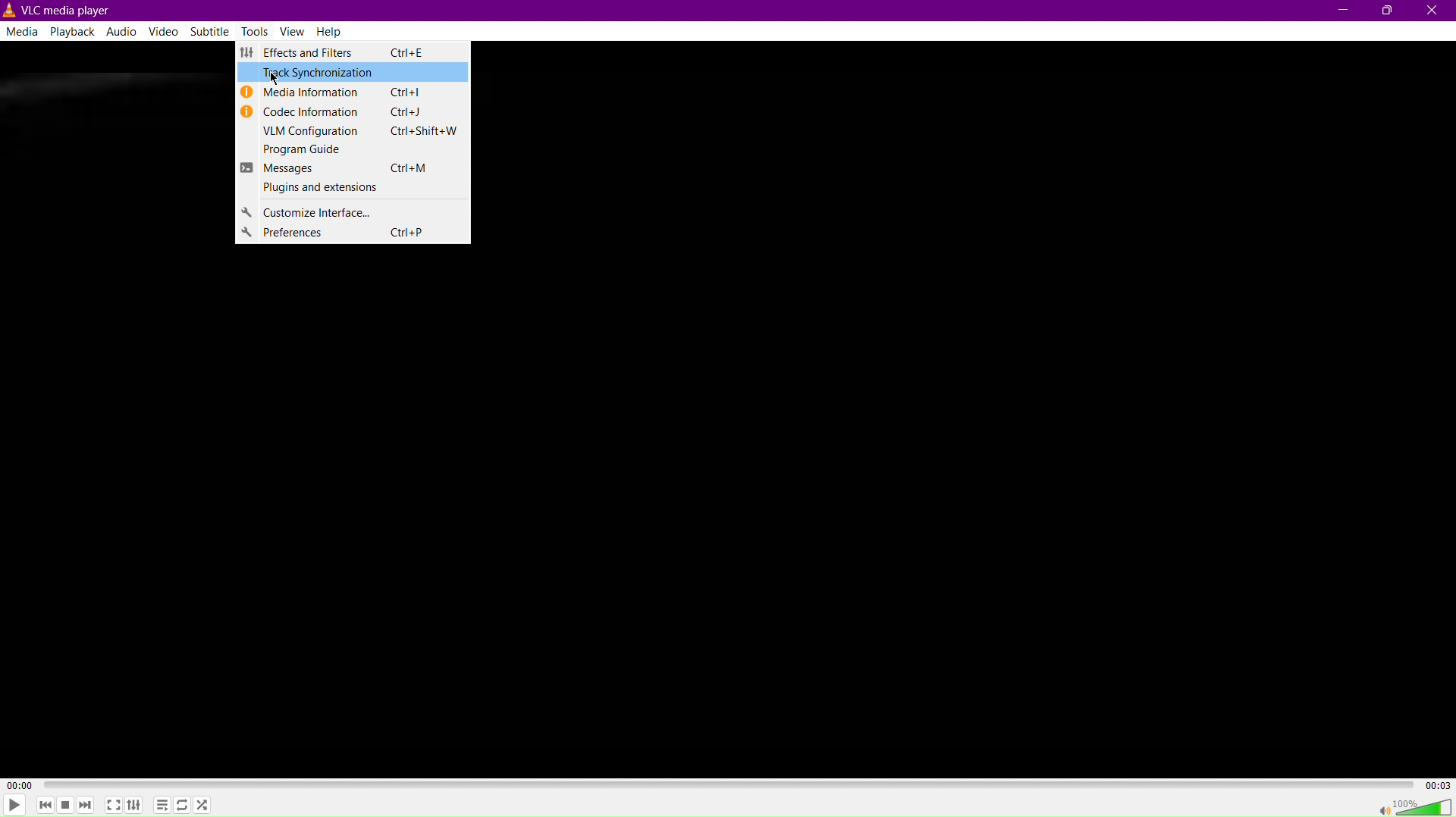 This screenshot has width=1456, height=817. Describe the element at coordinates (113, 805) in the screenshot. I see `Fullscreen` at that location.